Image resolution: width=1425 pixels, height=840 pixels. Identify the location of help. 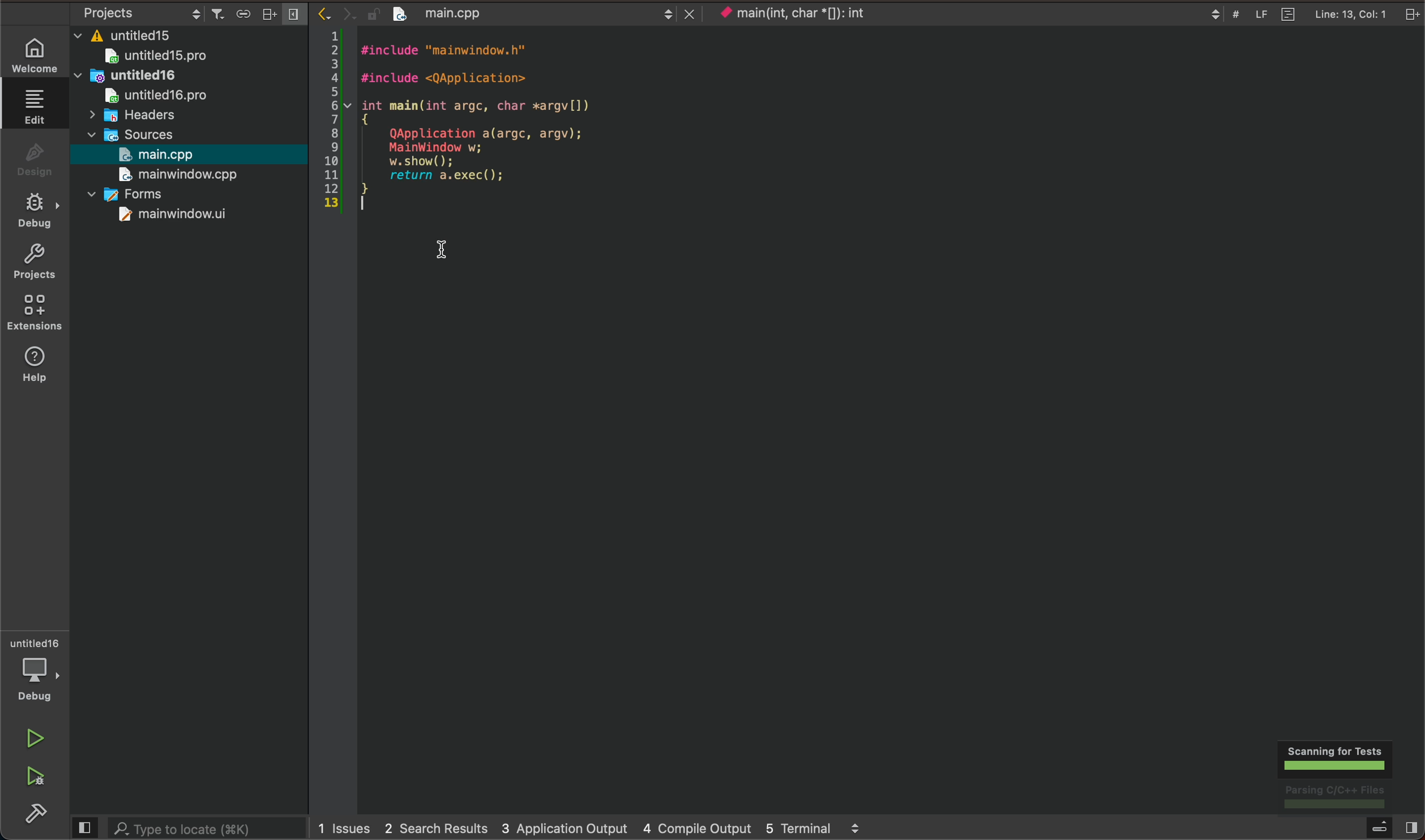
(38, 364).